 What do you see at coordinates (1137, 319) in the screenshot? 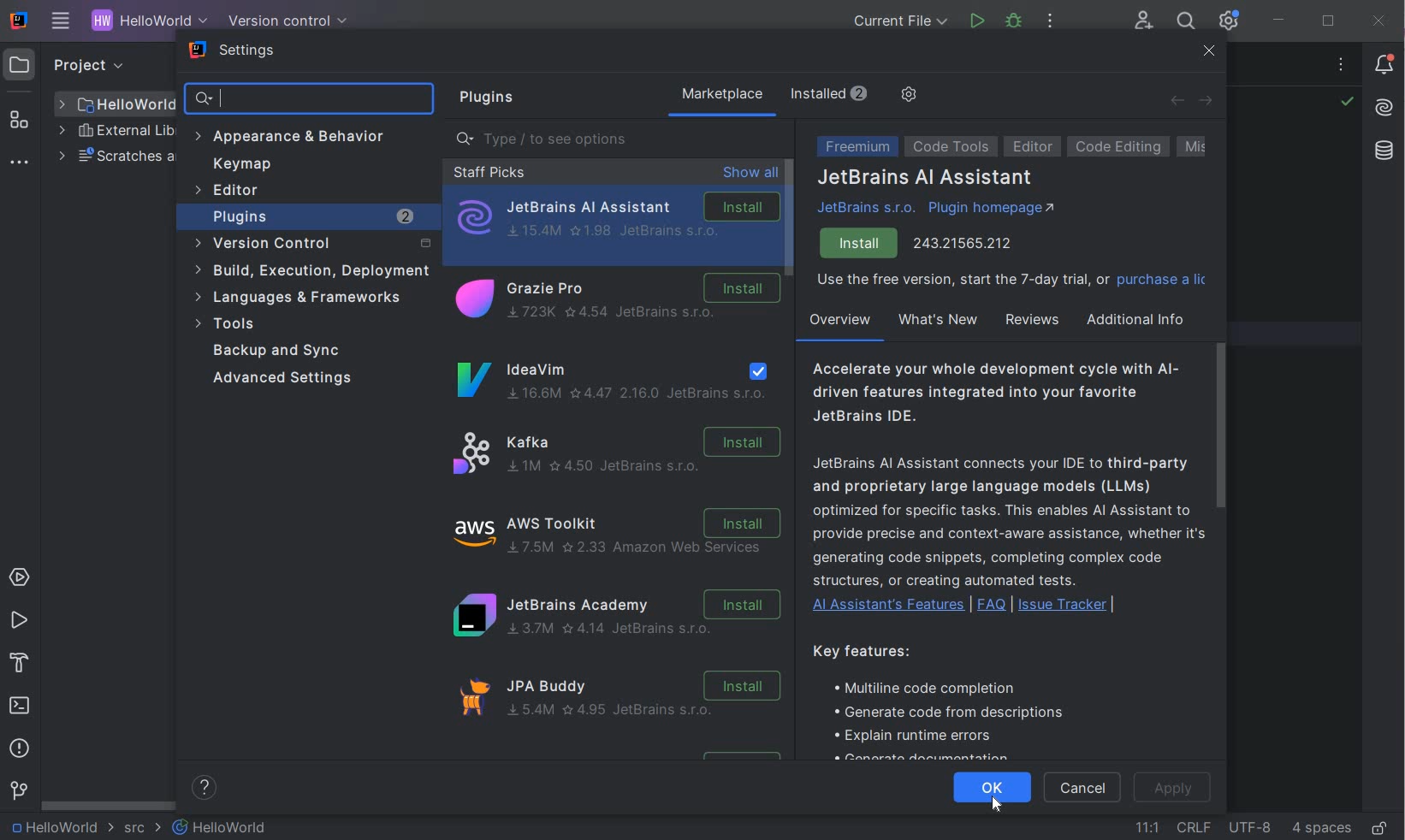
I see `additional info` at bounding box center [1137, 319].